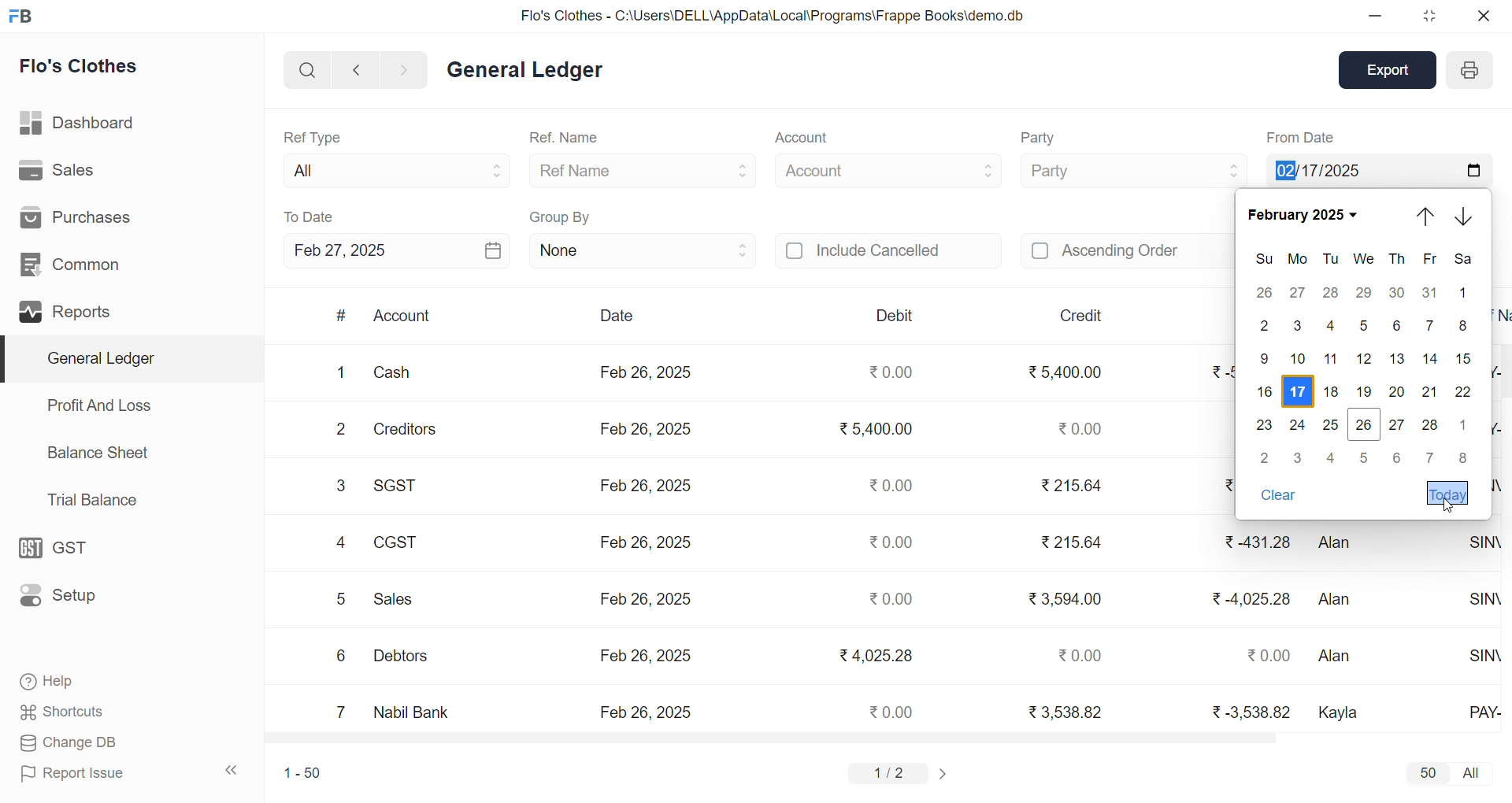  Describe the element at coordinates (1473, 774) in the screenshot. I see `ALL` at that location.